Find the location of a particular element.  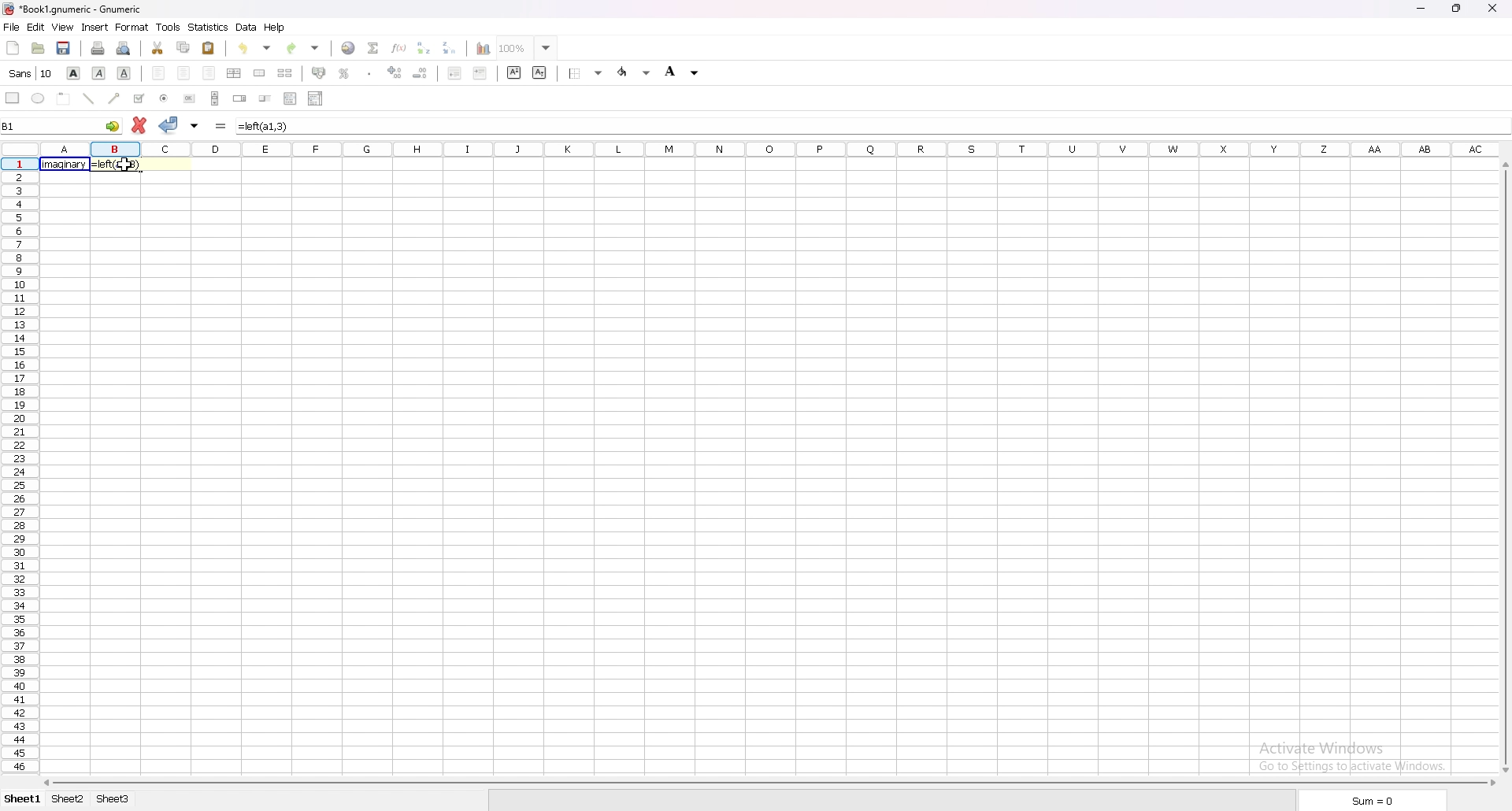

data is located at coordinates (248, 28).